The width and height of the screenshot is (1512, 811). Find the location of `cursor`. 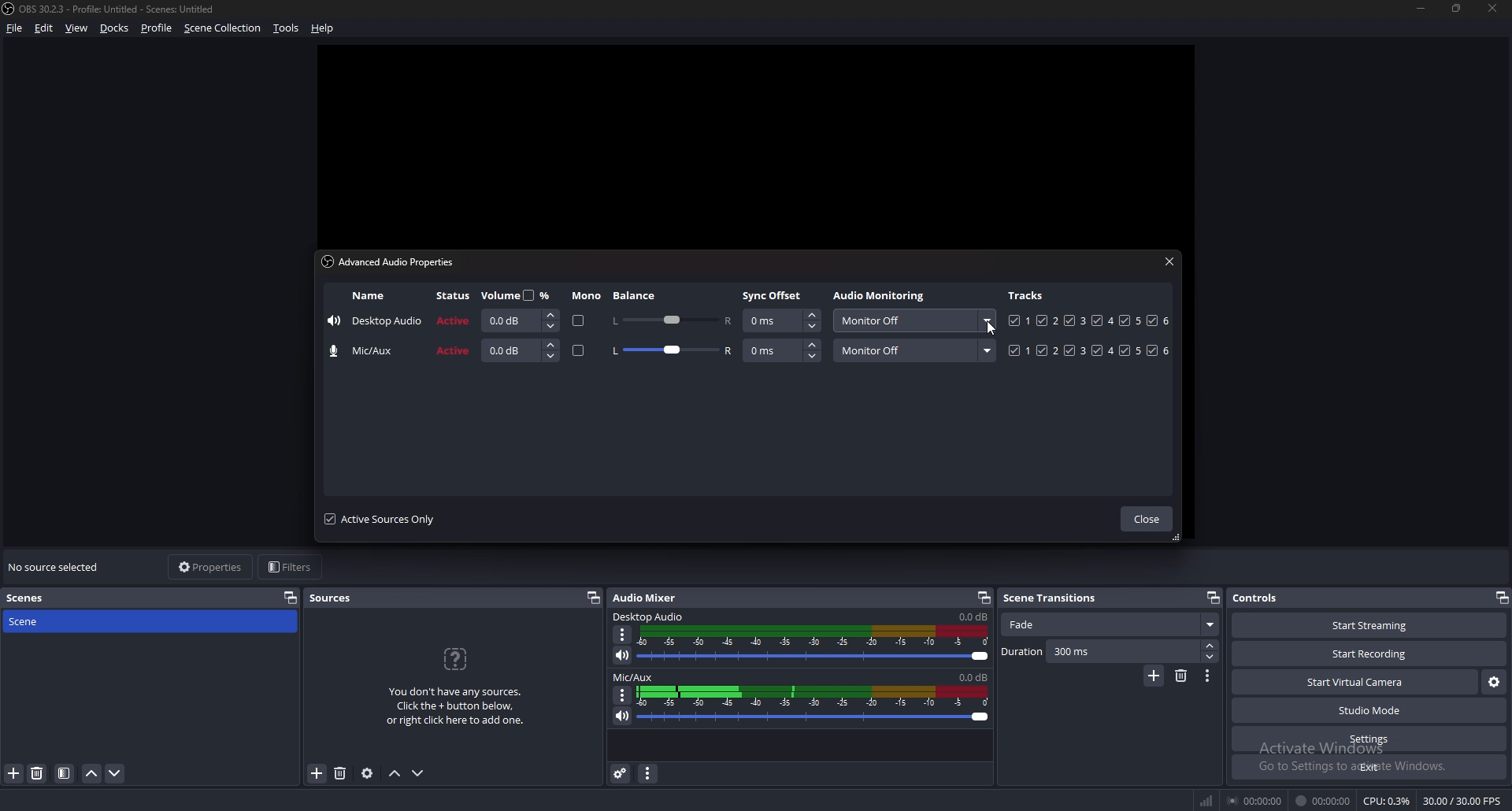

cursor is located at coordinates (991, 331).